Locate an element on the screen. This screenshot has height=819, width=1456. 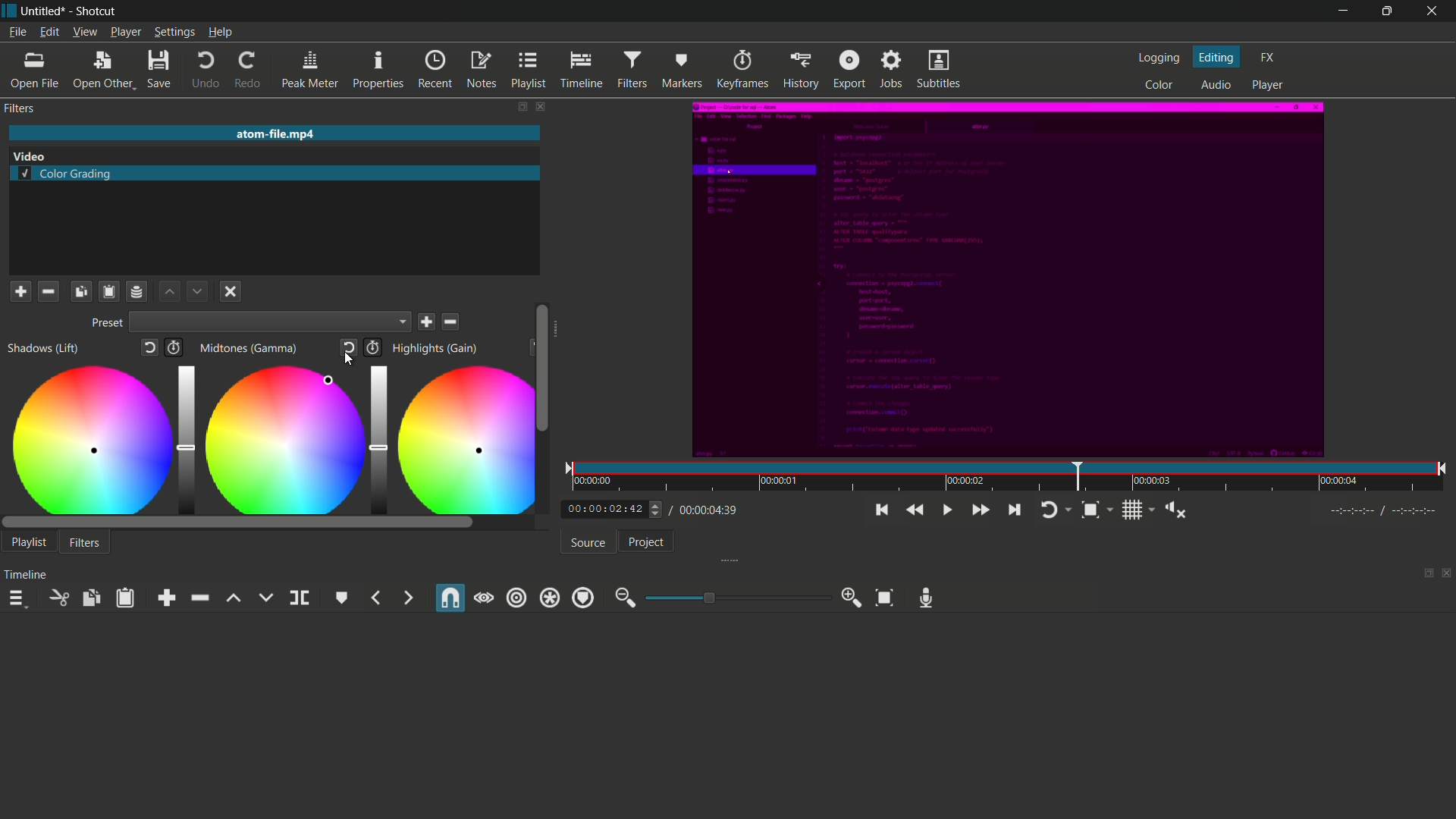
toggle player looping is located at coordinates (1053, 509).